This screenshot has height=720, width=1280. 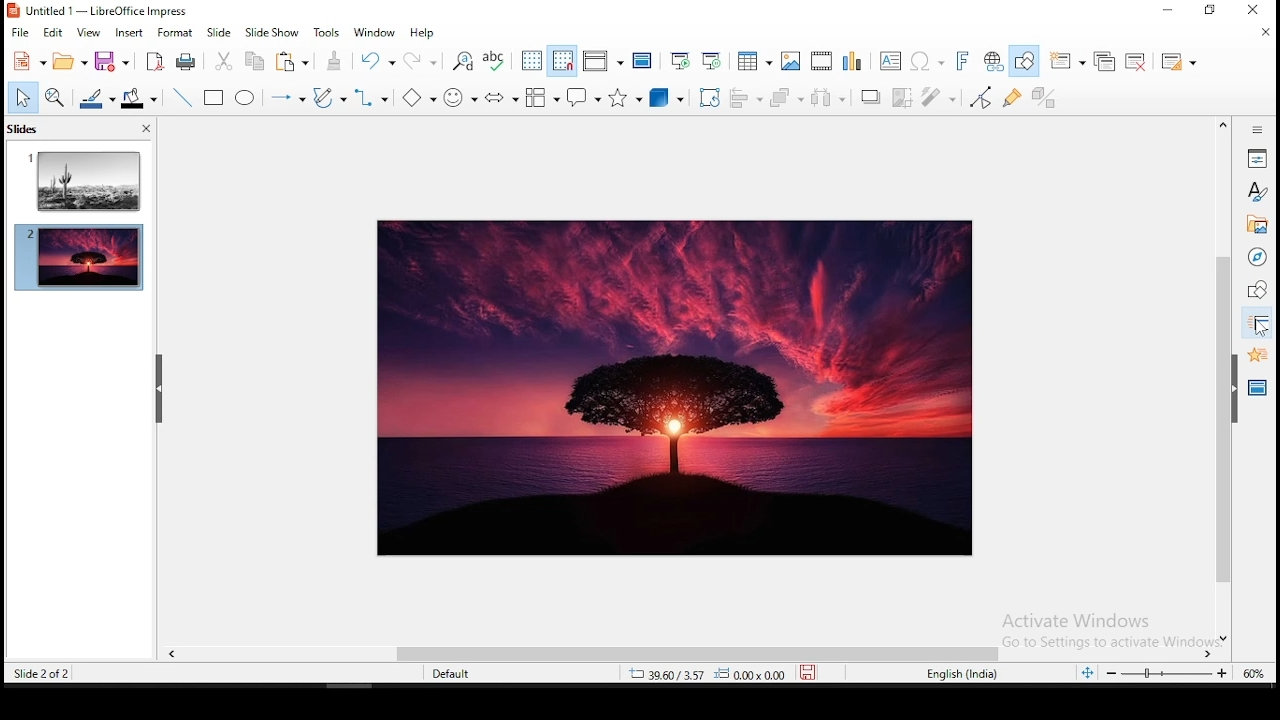 I want to click on tools, so click(x=330, y=32).